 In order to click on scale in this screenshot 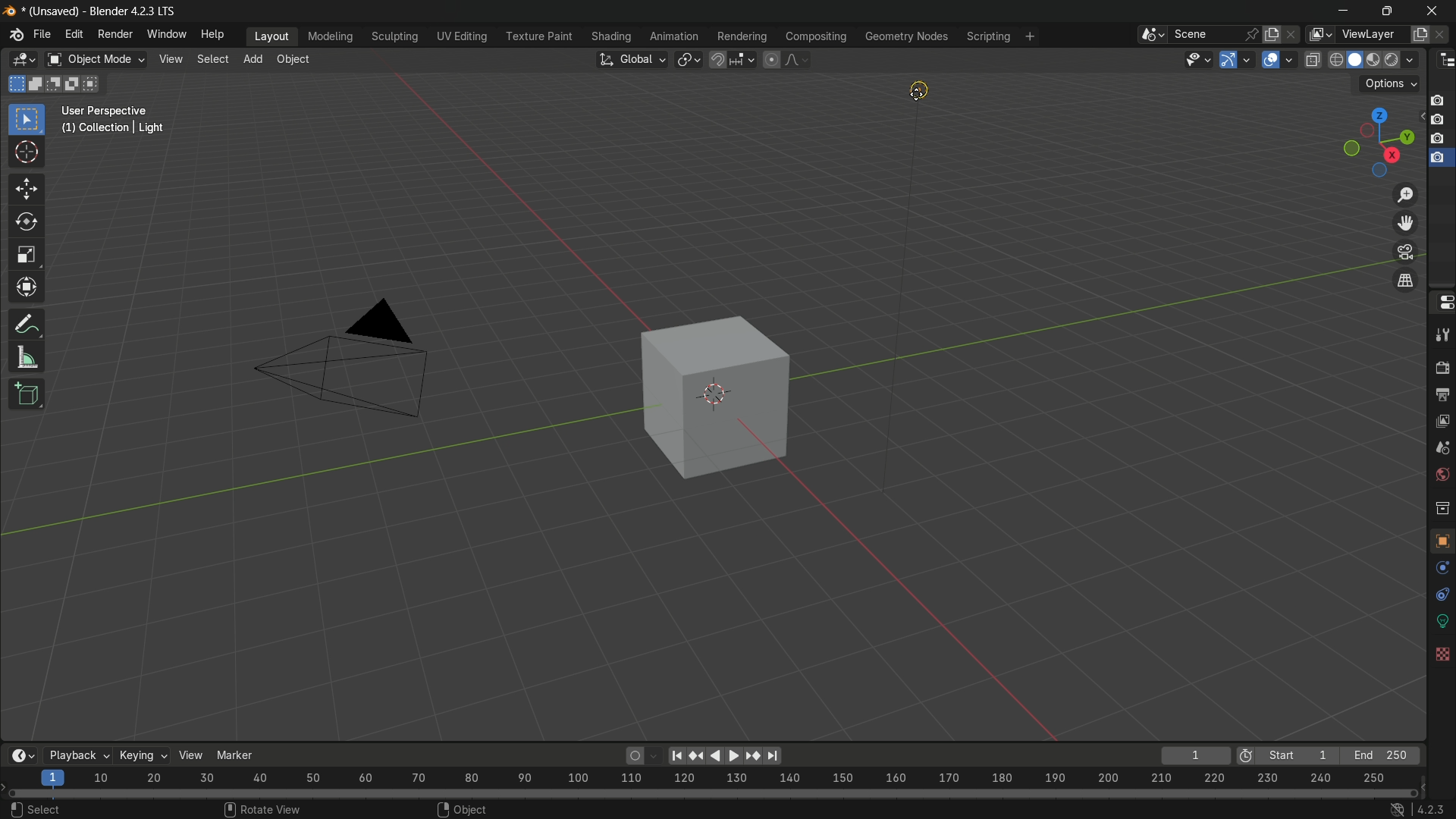, I will do `click(27, 255)`.